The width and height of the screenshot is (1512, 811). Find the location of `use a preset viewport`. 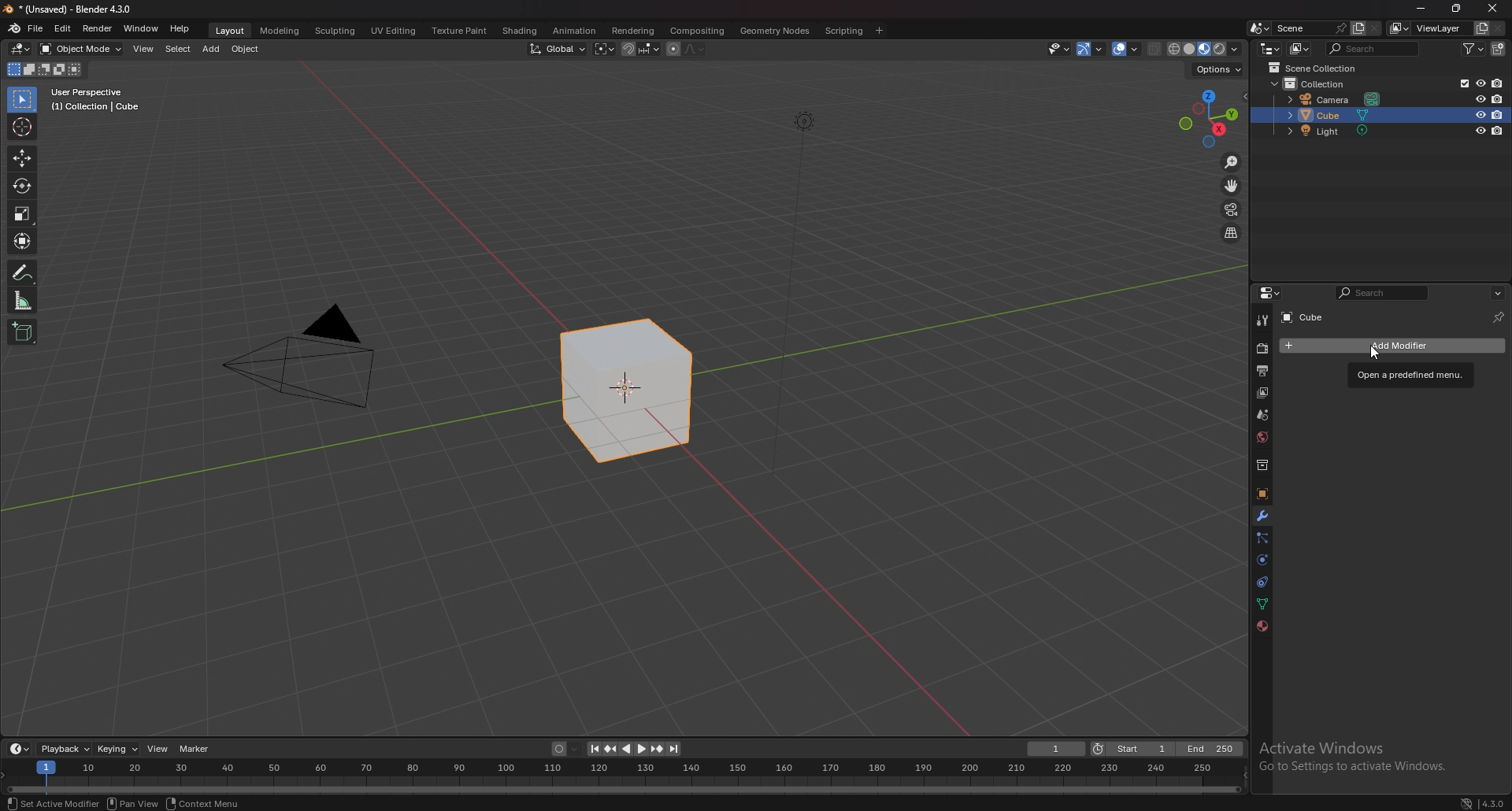

use a preset viewport is located at coordinates (1210, 119).